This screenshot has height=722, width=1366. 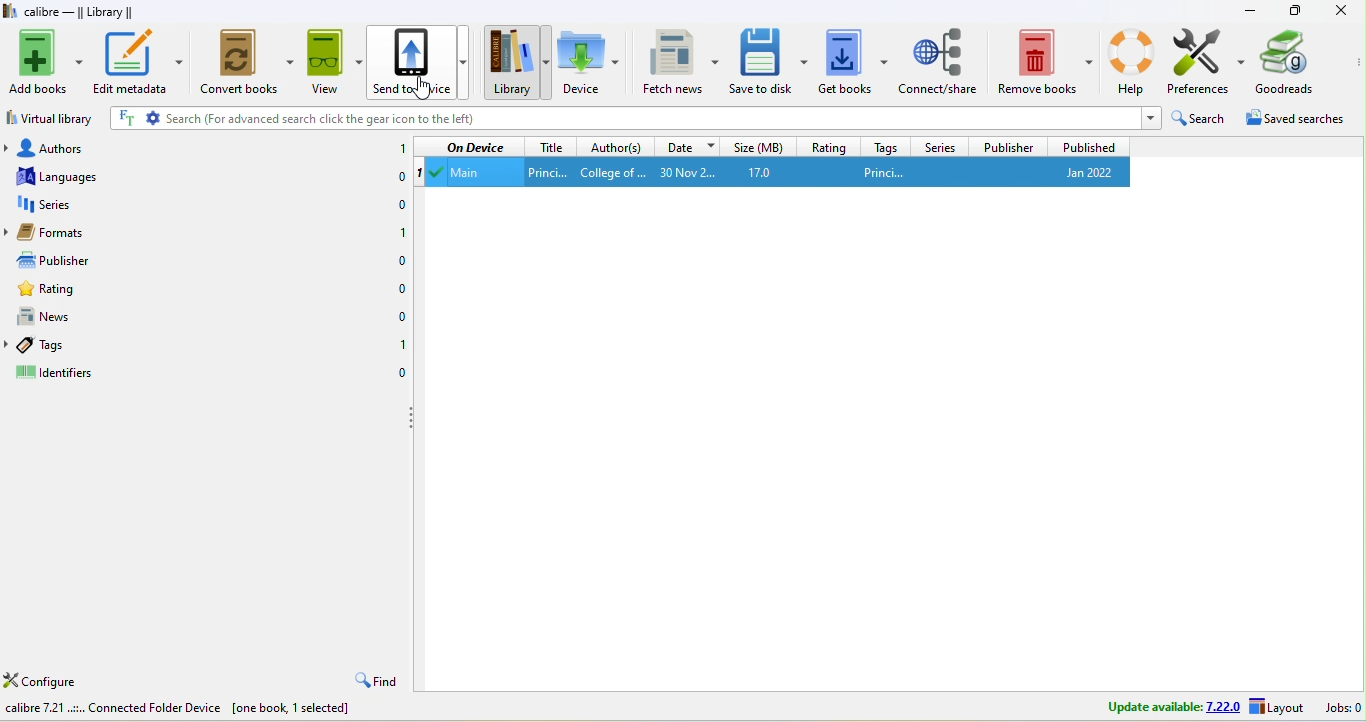 What do you see at coordinates (155, 261) in the screenshot?
I see `publisher` at bounding box center [155, 261].